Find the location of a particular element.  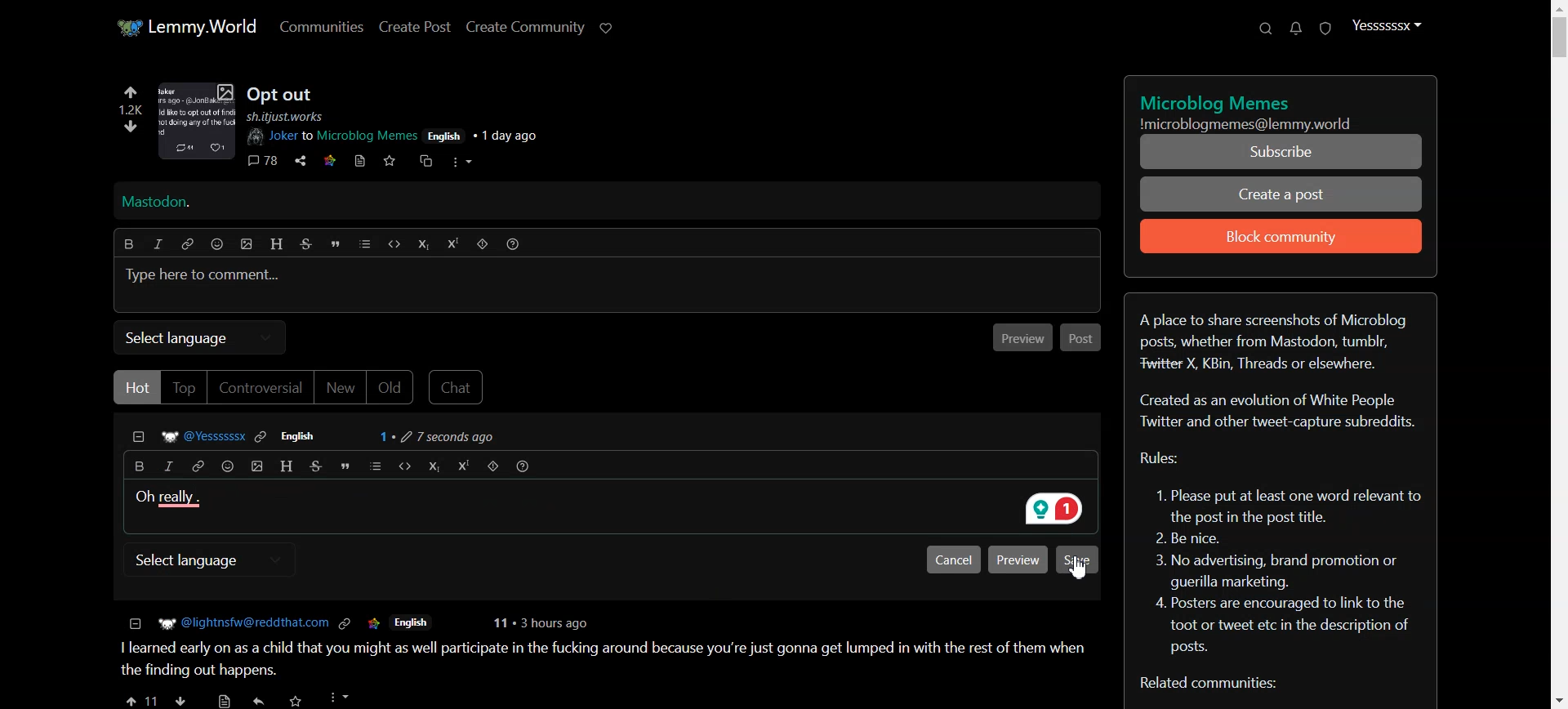

share is located at coordinates (301, 161).